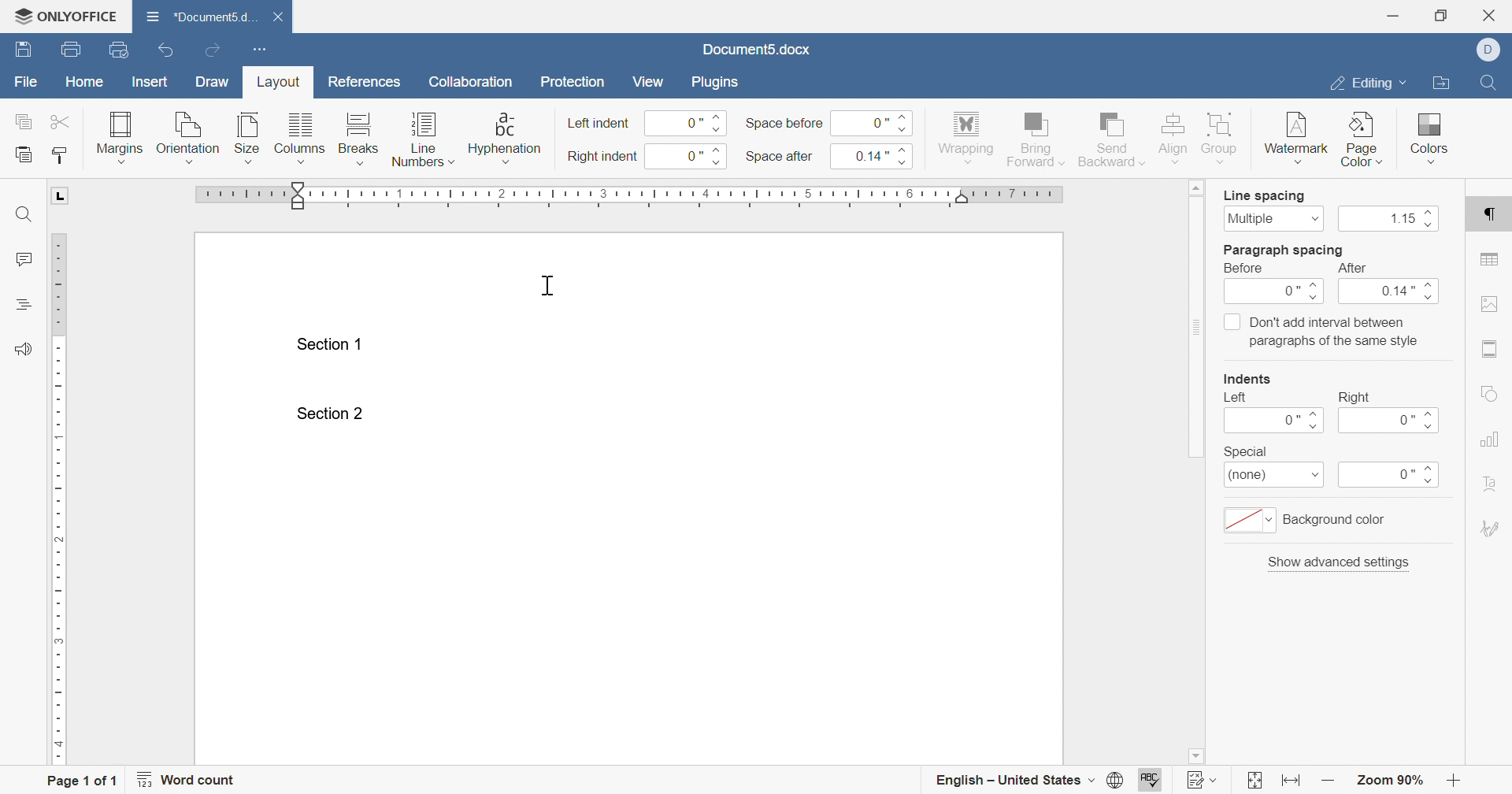 This screenshot has height=794, width=1512. Describe the element at coordinates (1273, 421) in the screenshot. I see `0` at that location.